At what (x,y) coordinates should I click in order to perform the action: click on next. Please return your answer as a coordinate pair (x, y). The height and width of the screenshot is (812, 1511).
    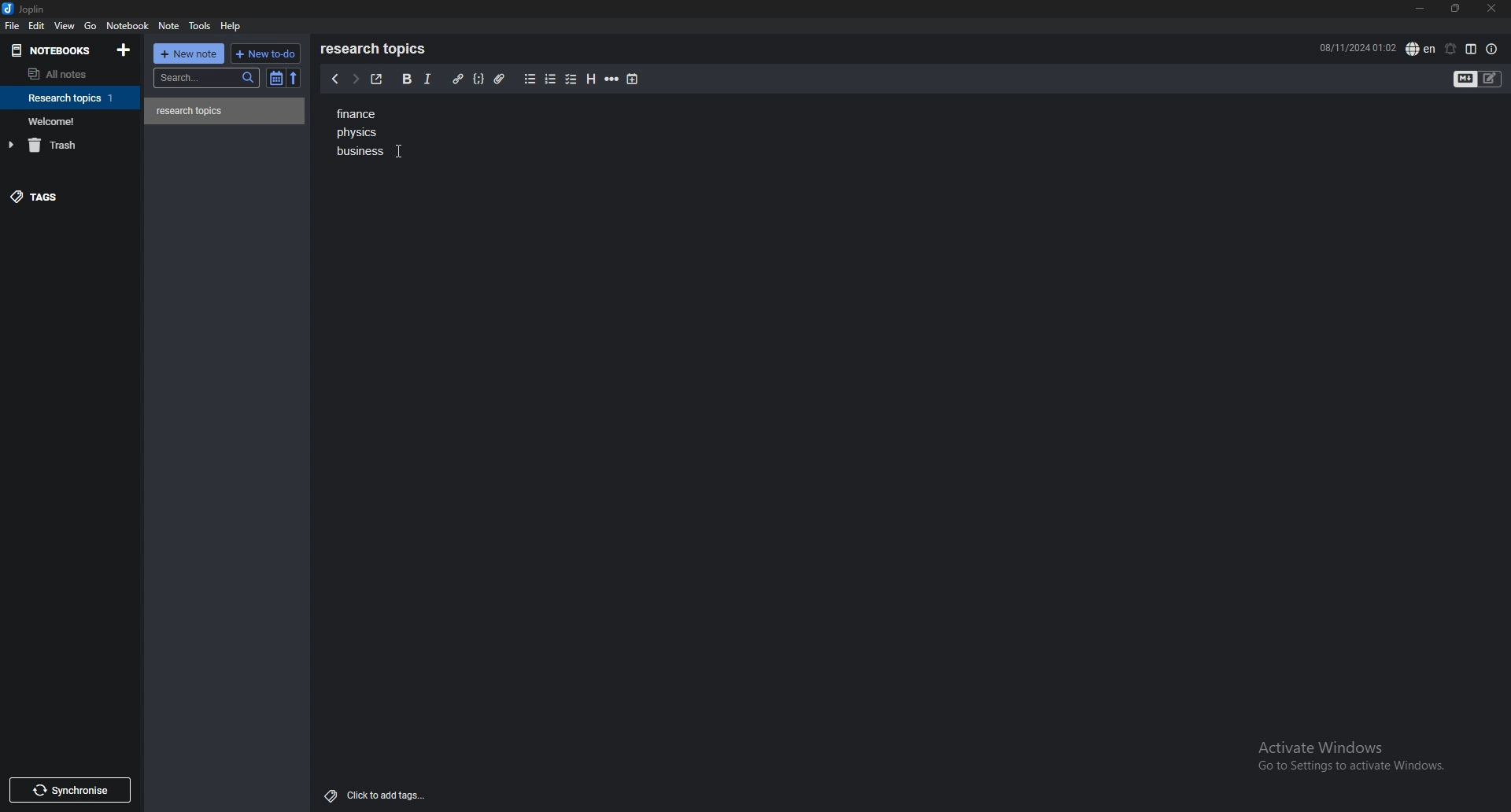
    Looking at the image, I should click on (353, 79).